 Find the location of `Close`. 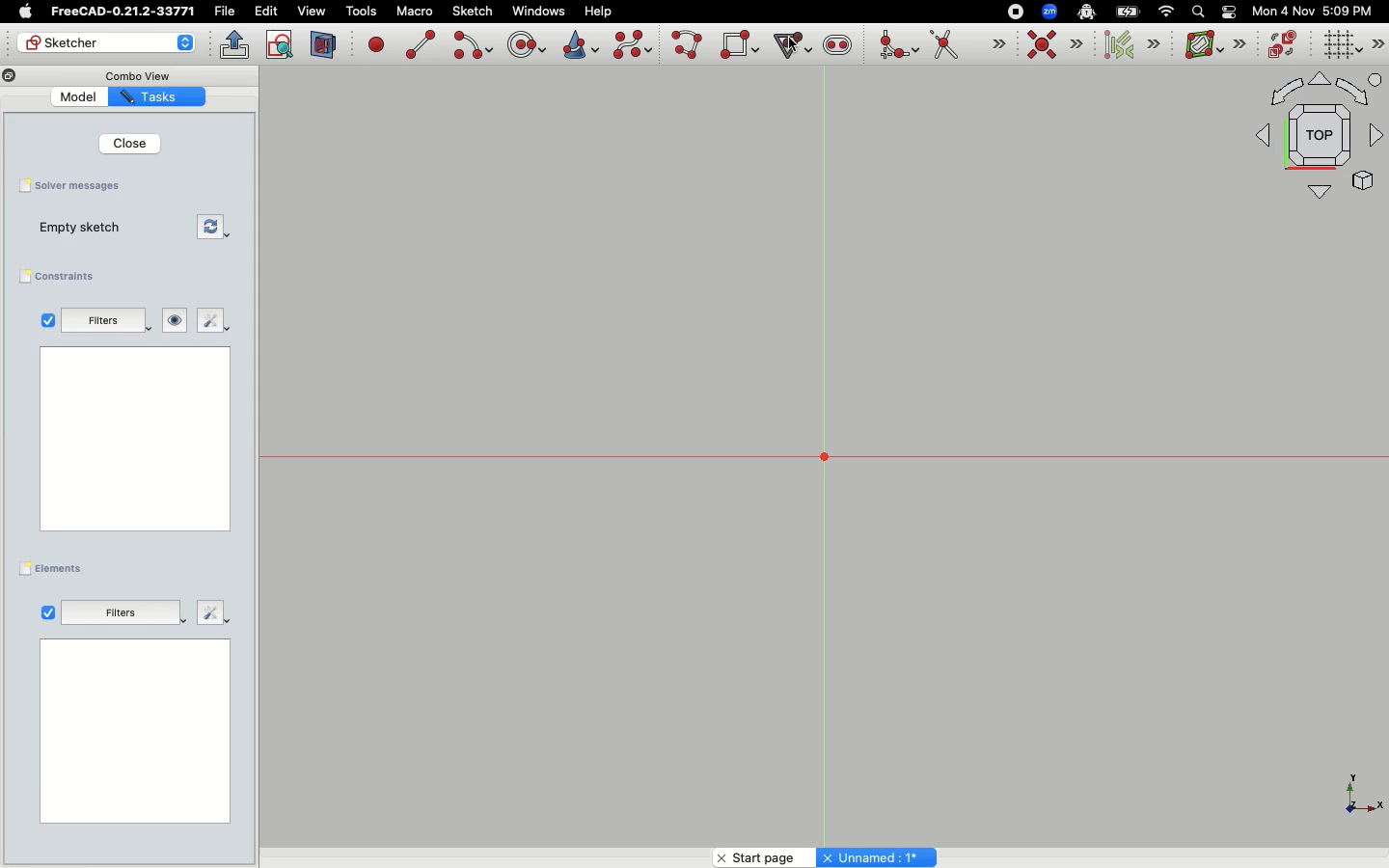

Close is located at coordinates (133, 145).